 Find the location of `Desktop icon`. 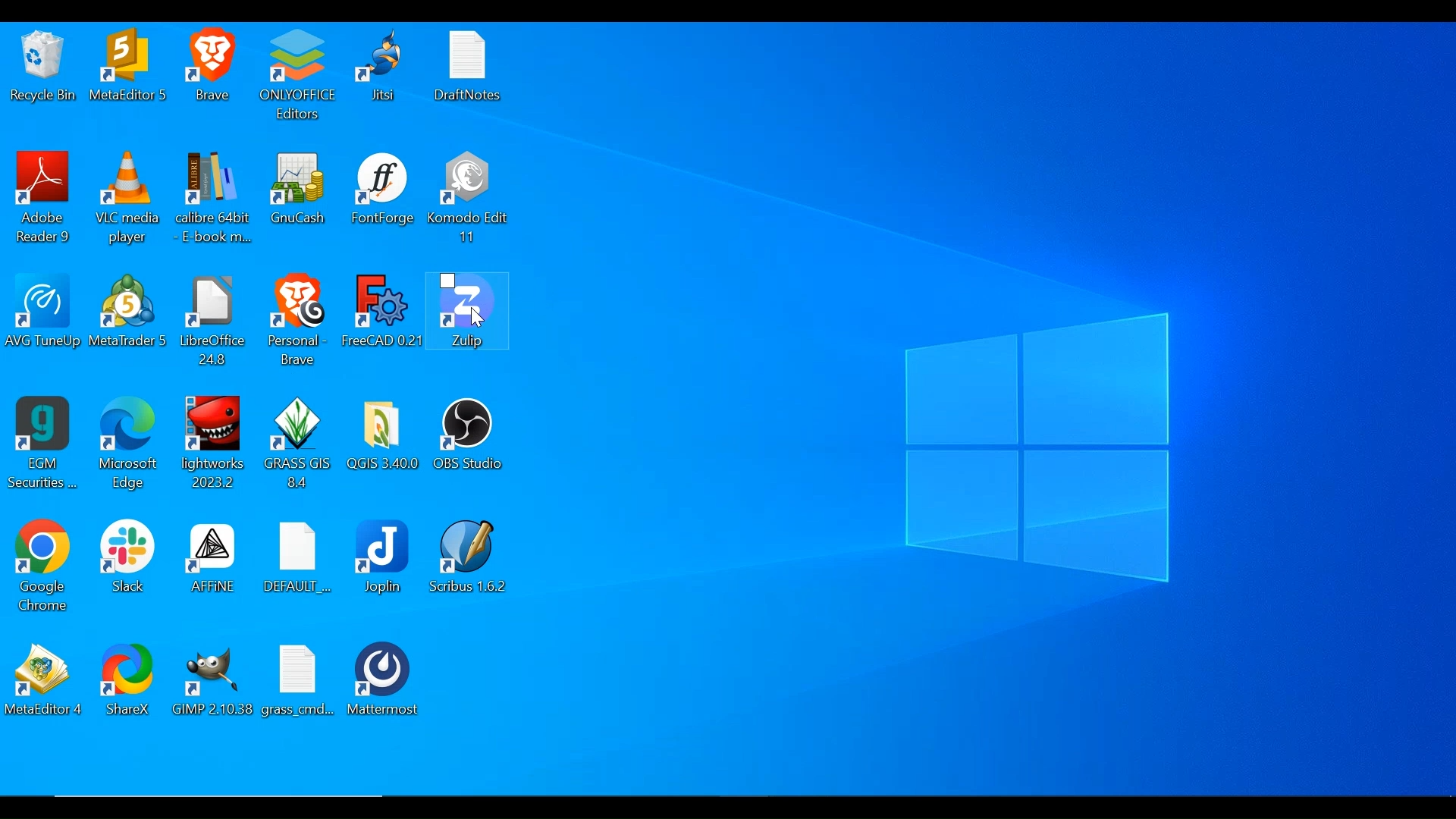

Desktop icon is located at coordinates (129, 67).